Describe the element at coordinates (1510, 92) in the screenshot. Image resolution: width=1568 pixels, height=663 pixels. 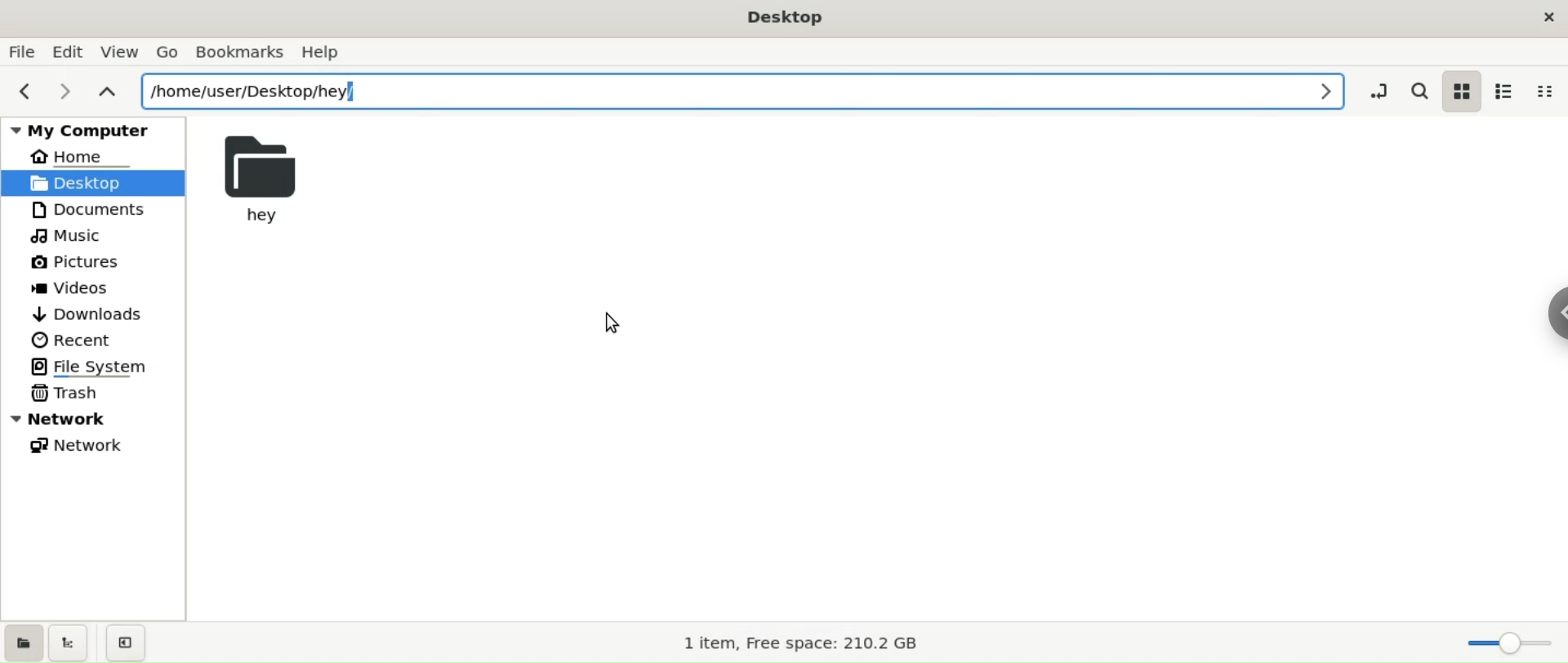
I see `list view` at that location.